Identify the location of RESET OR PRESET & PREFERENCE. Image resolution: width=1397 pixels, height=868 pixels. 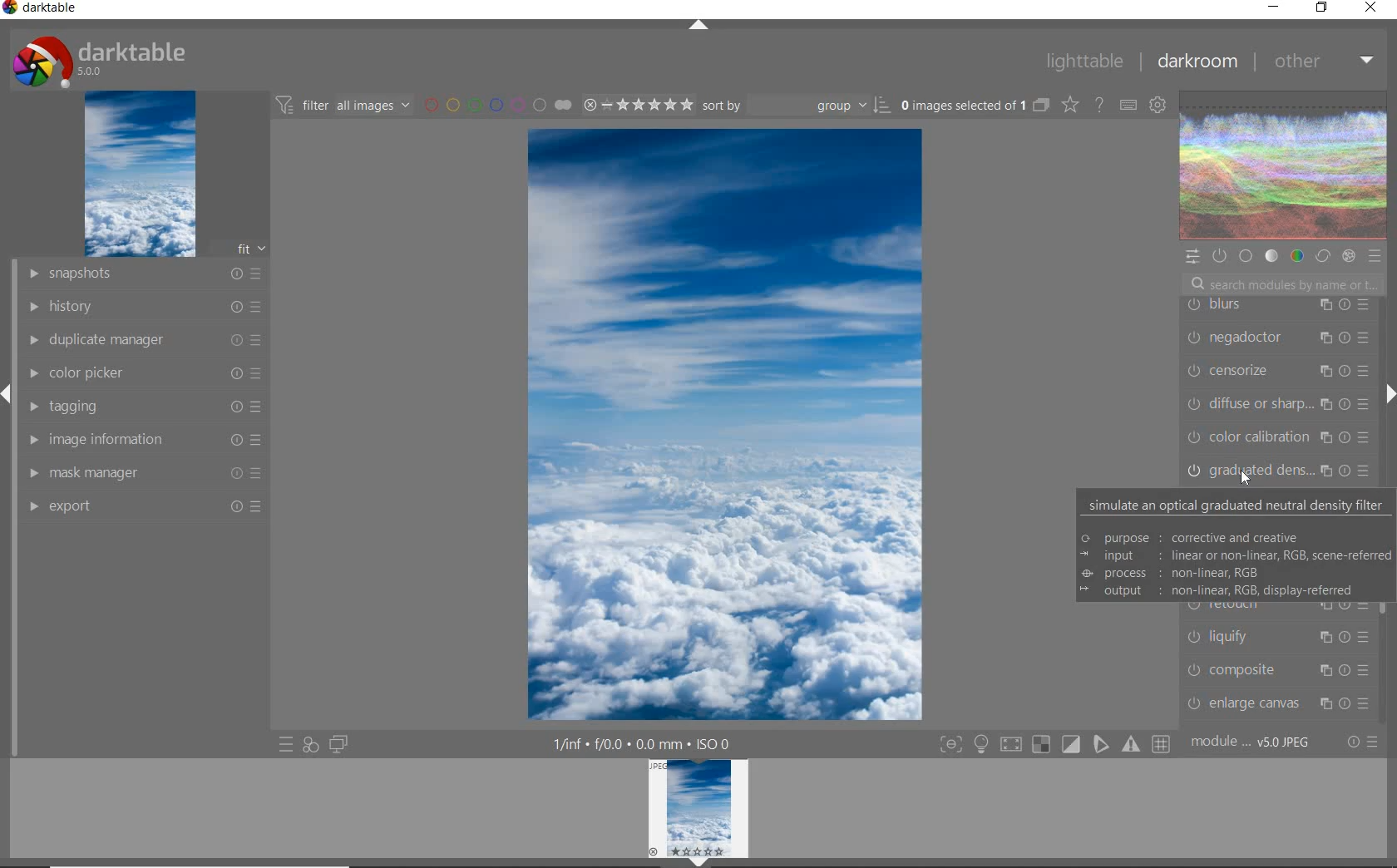
(1361, 741).